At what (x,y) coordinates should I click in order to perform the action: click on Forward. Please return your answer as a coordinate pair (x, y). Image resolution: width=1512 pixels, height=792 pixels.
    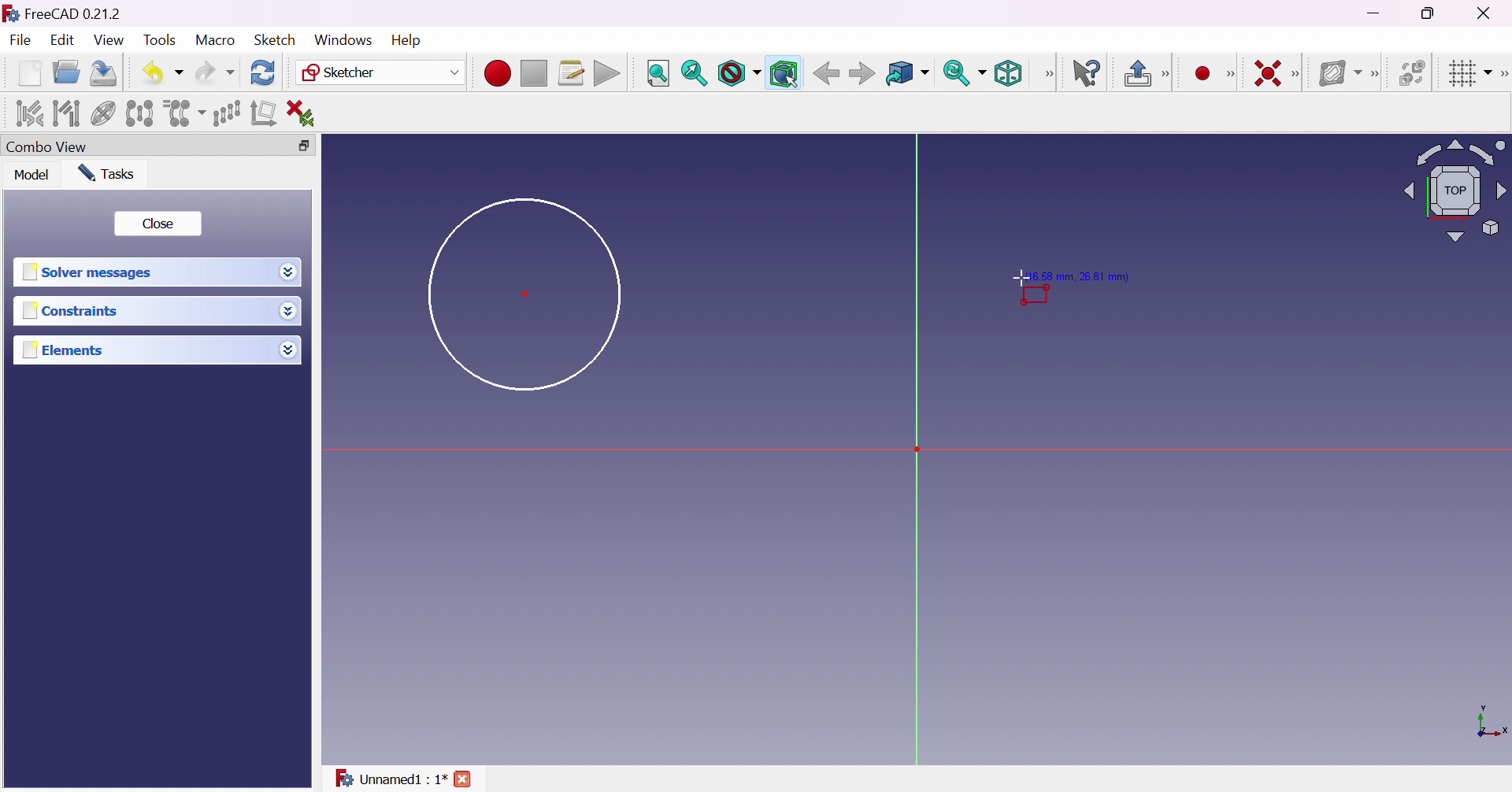
    Looking at the image, I should click on (862, 75).